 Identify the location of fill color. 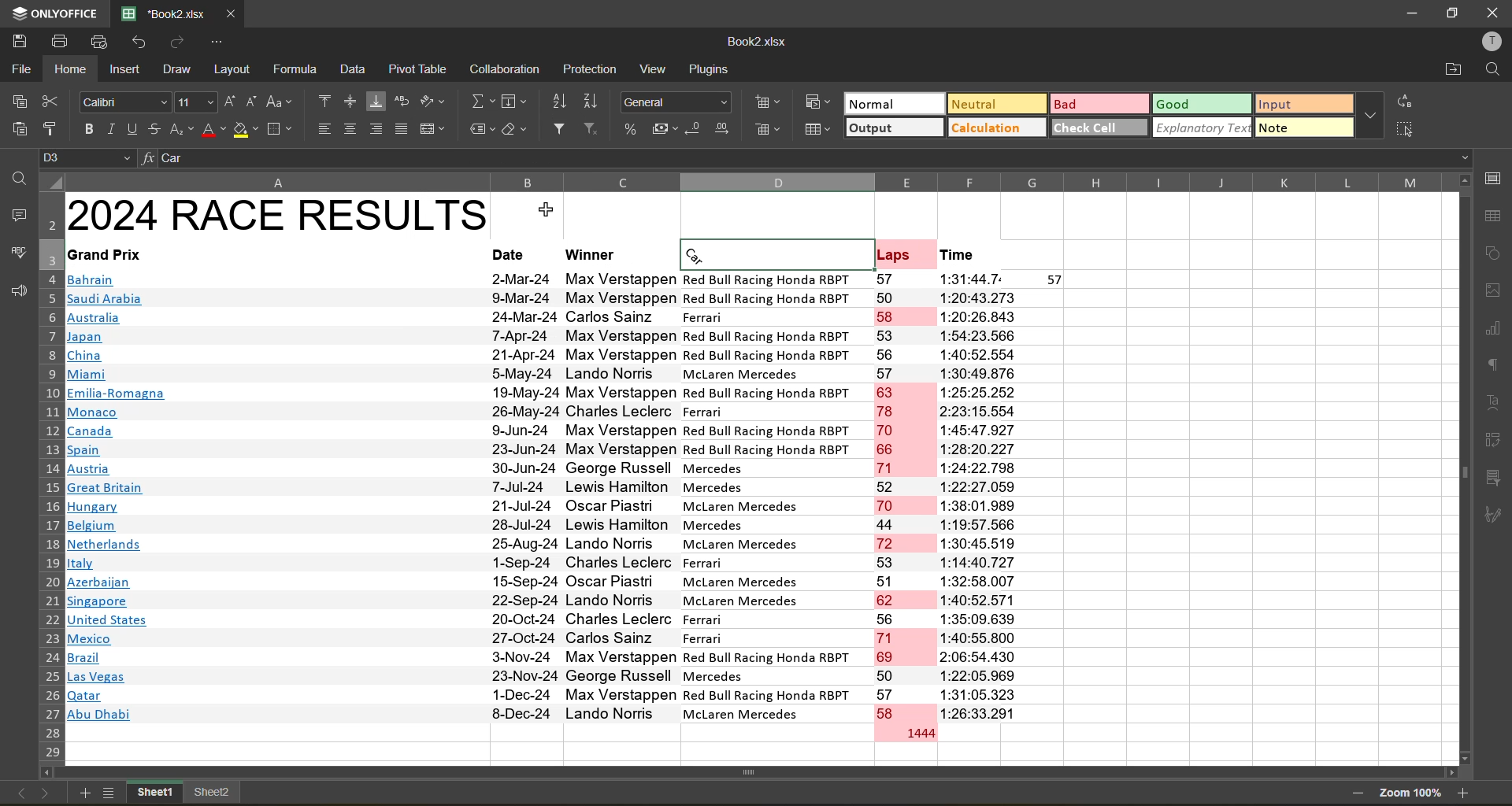
(246, 129).